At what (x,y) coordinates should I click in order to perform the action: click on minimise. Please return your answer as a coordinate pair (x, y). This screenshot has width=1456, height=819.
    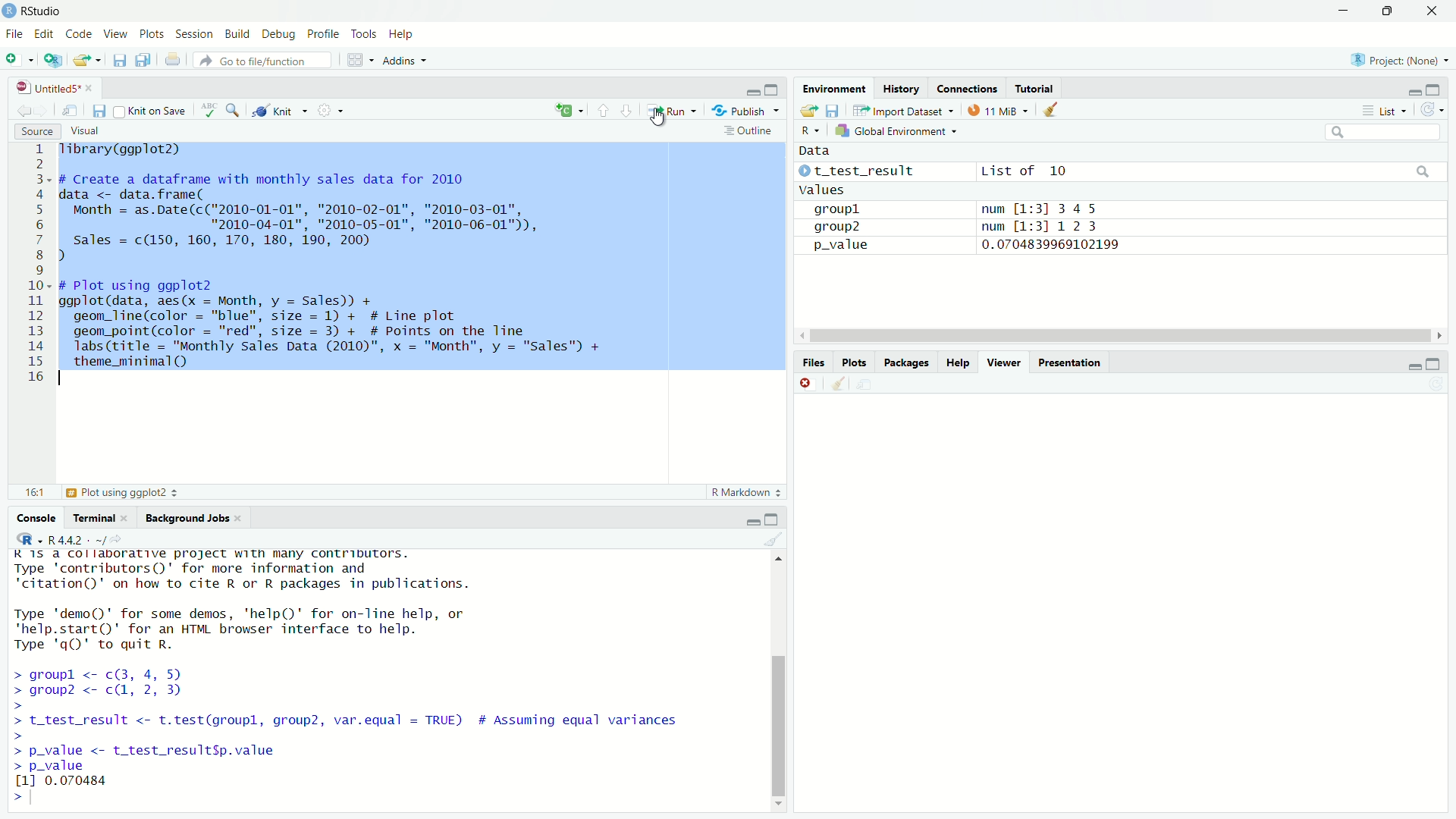
    Looking at the image, I should click on (1413, 365).